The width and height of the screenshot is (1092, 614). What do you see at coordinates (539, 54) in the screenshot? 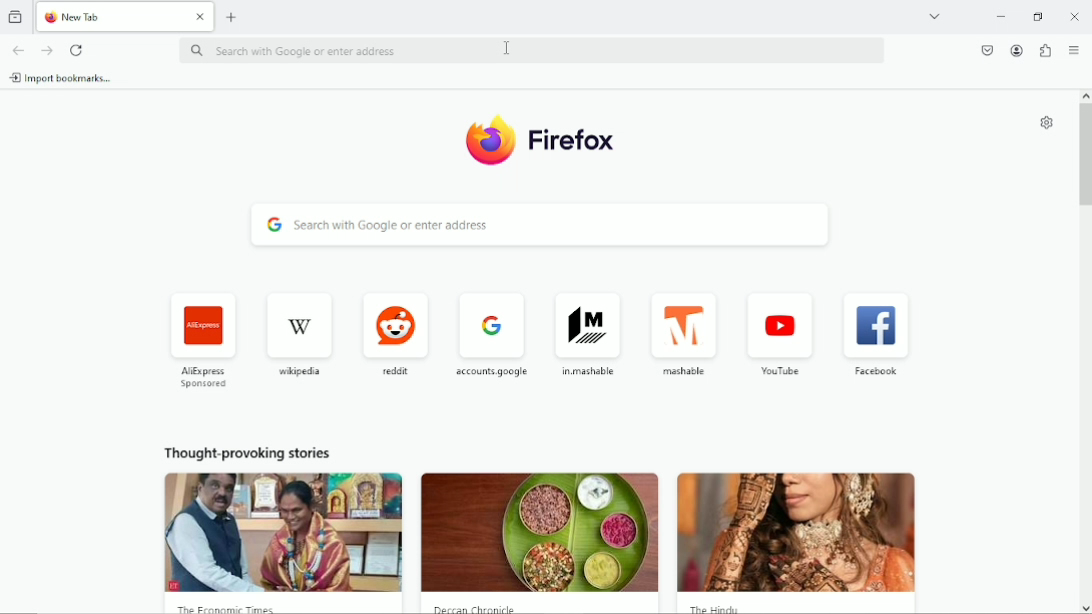
I see `search with google or enter address` at bounding box center [539, 54].